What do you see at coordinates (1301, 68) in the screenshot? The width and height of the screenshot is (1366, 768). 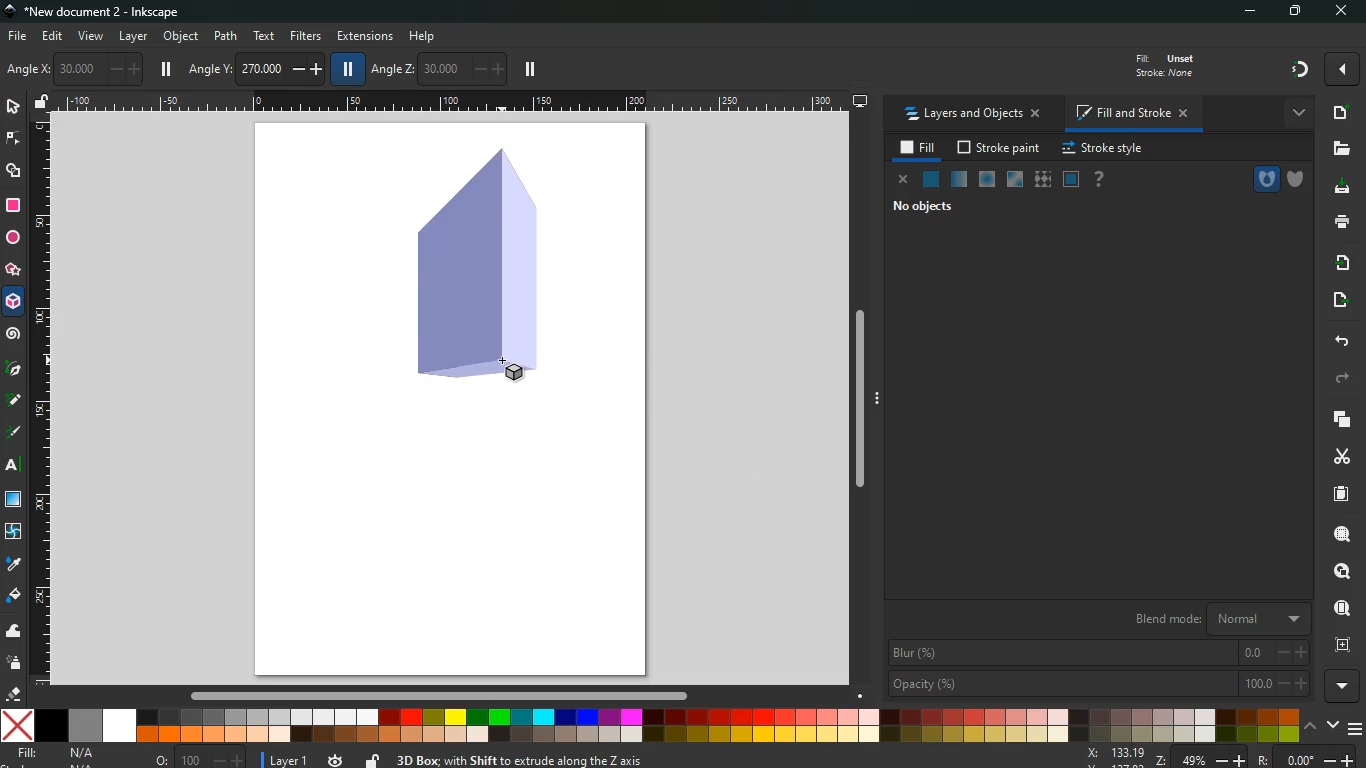 I see `gradient` at bounding box center [1301, 68].